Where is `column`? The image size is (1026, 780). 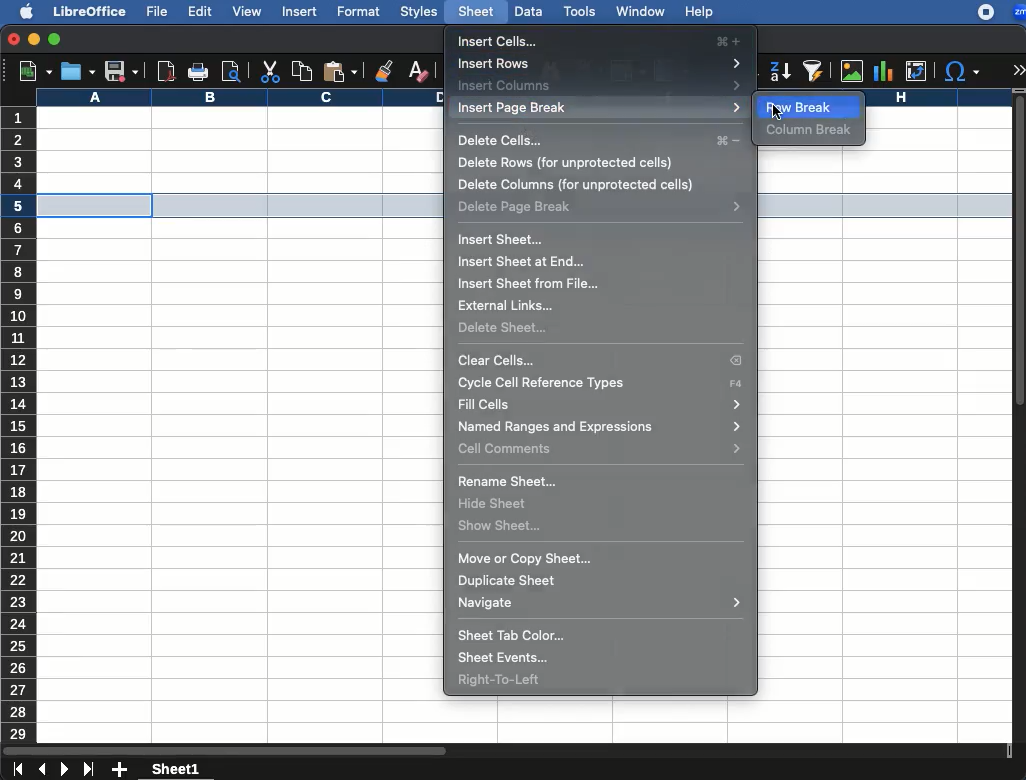 column is located at coordinates (235, 98).